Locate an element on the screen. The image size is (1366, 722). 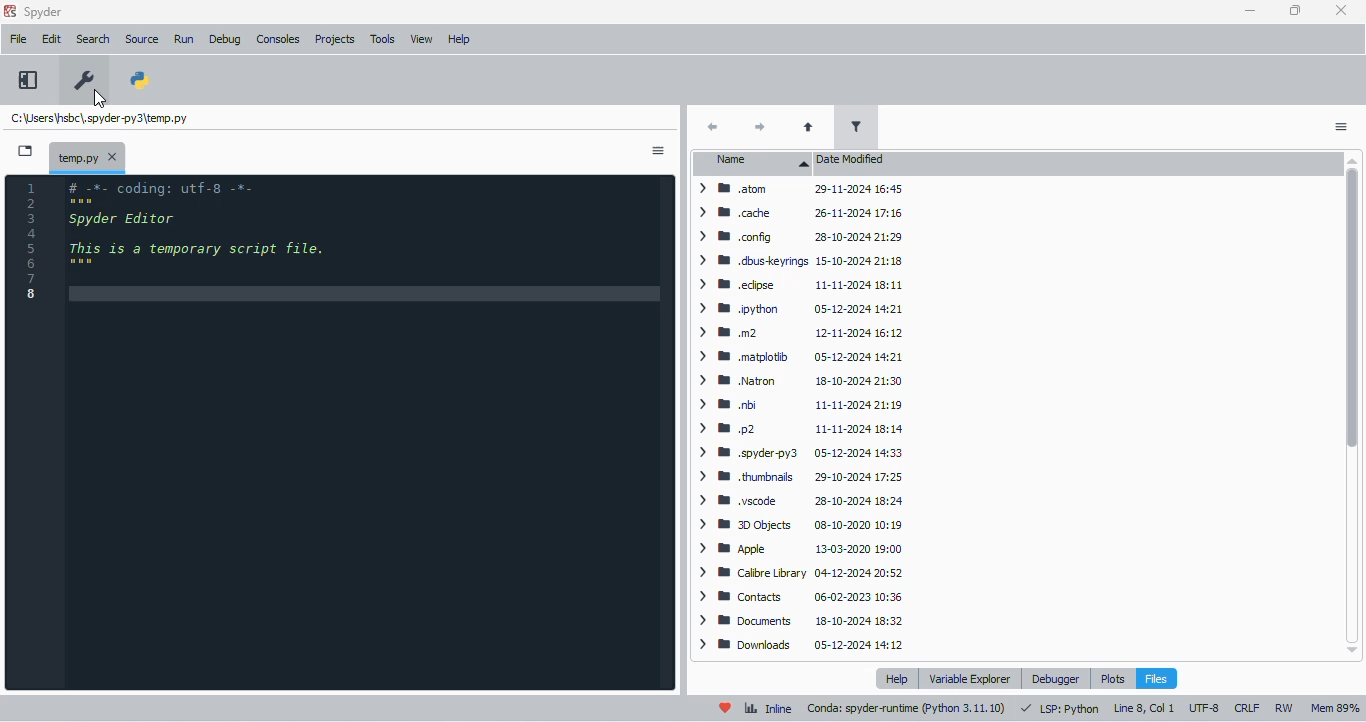
search is located at coordinates (93, 39).